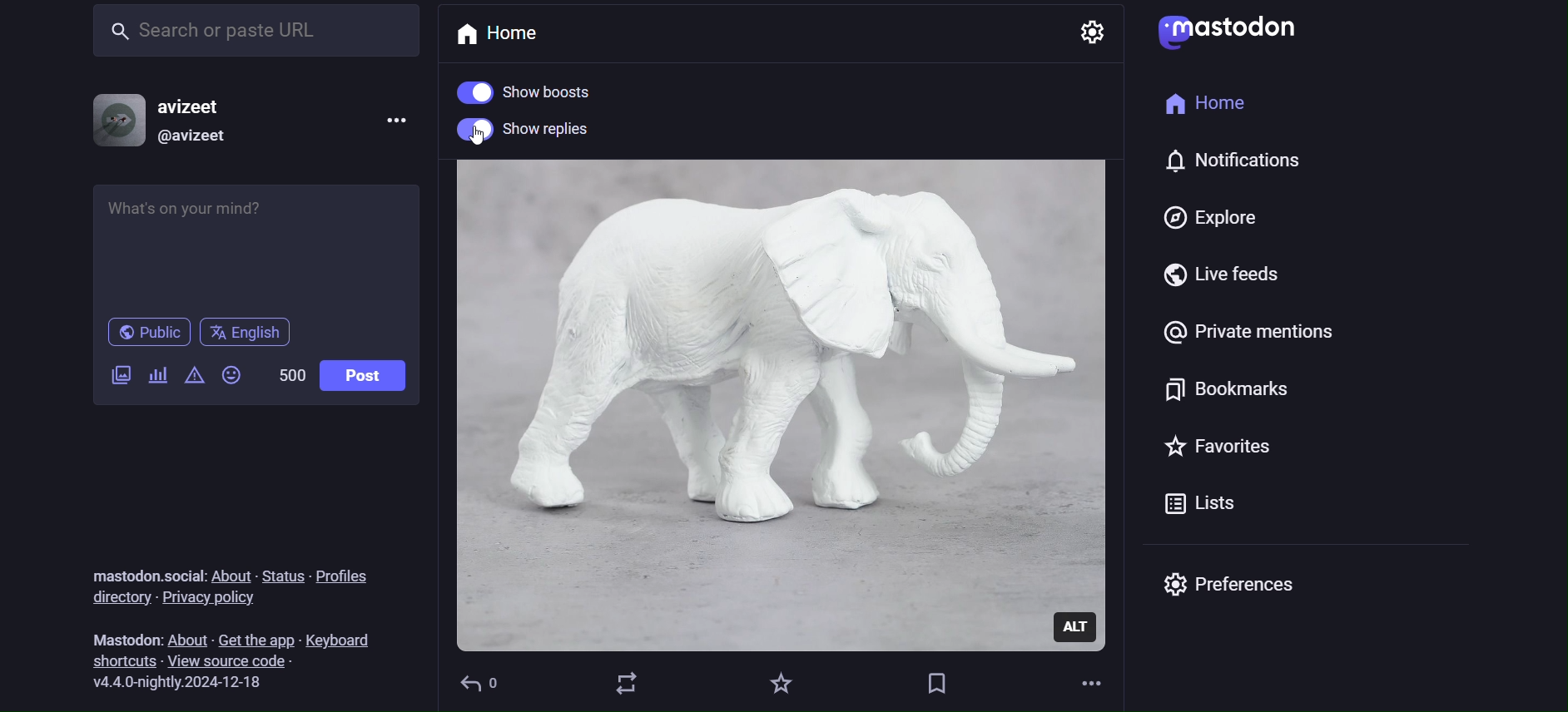  I want to click on show replies enabled, so click(523, 133).